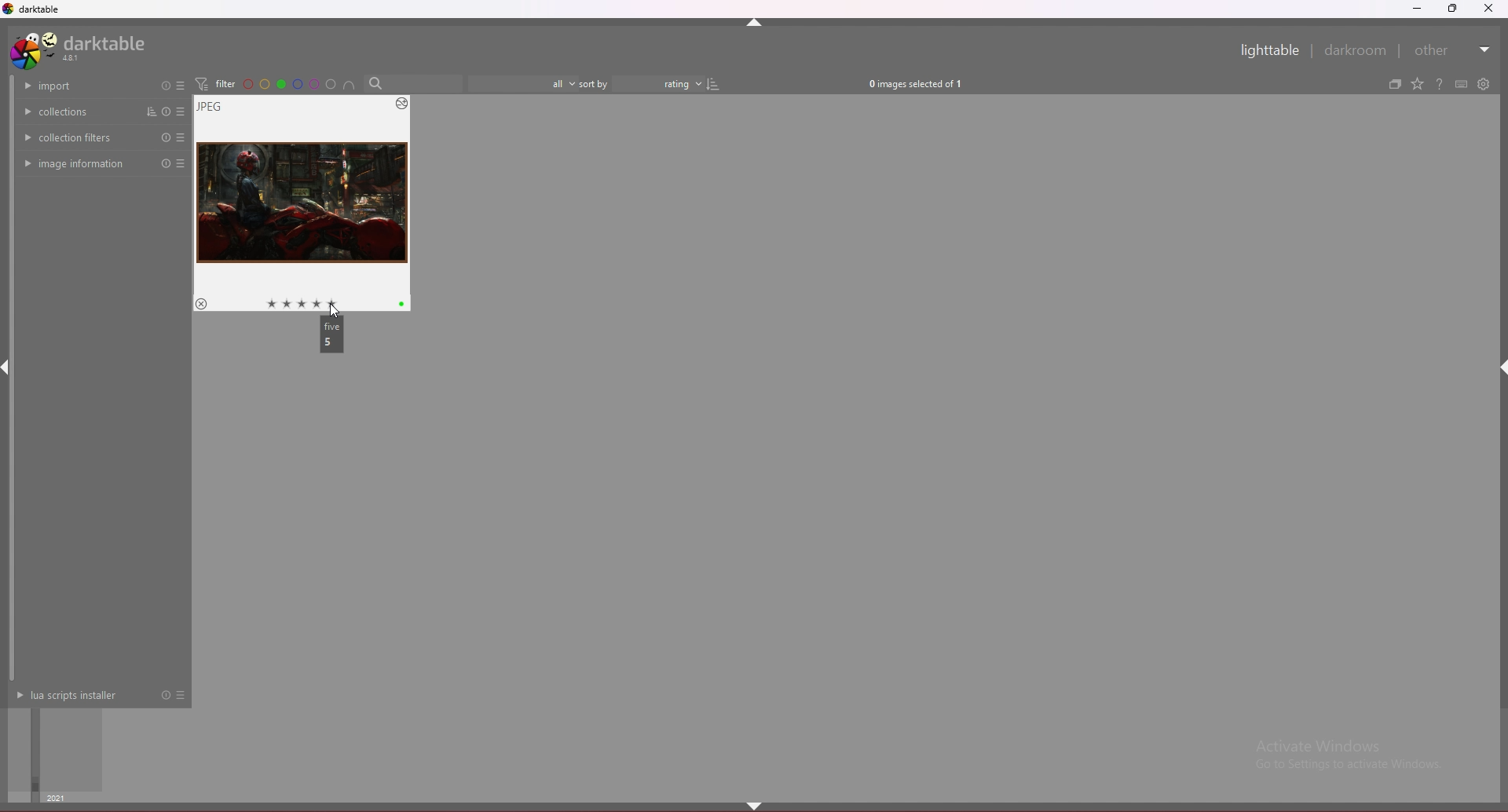 This screenshot has width=1508, height=812. Describe the element at coordinates (183, 697) in the screenshot. I see `presets` at that location.